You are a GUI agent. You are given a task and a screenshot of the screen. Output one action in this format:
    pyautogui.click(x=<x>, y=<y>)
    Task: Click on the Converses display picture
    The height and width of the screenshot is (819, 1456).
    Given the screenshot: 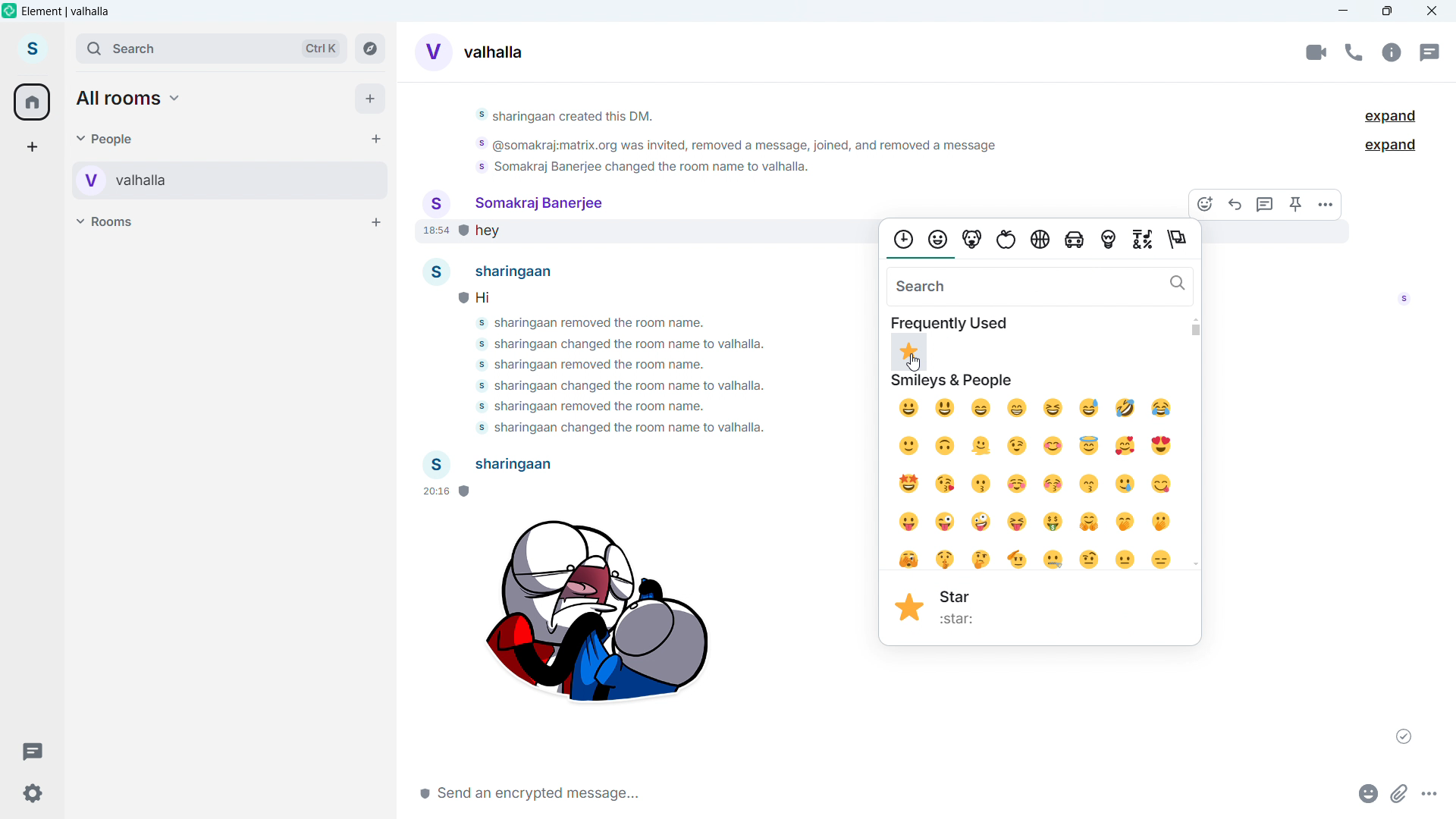 What is the action you would take?
    pyautogui.click(x=432, y=50)
    